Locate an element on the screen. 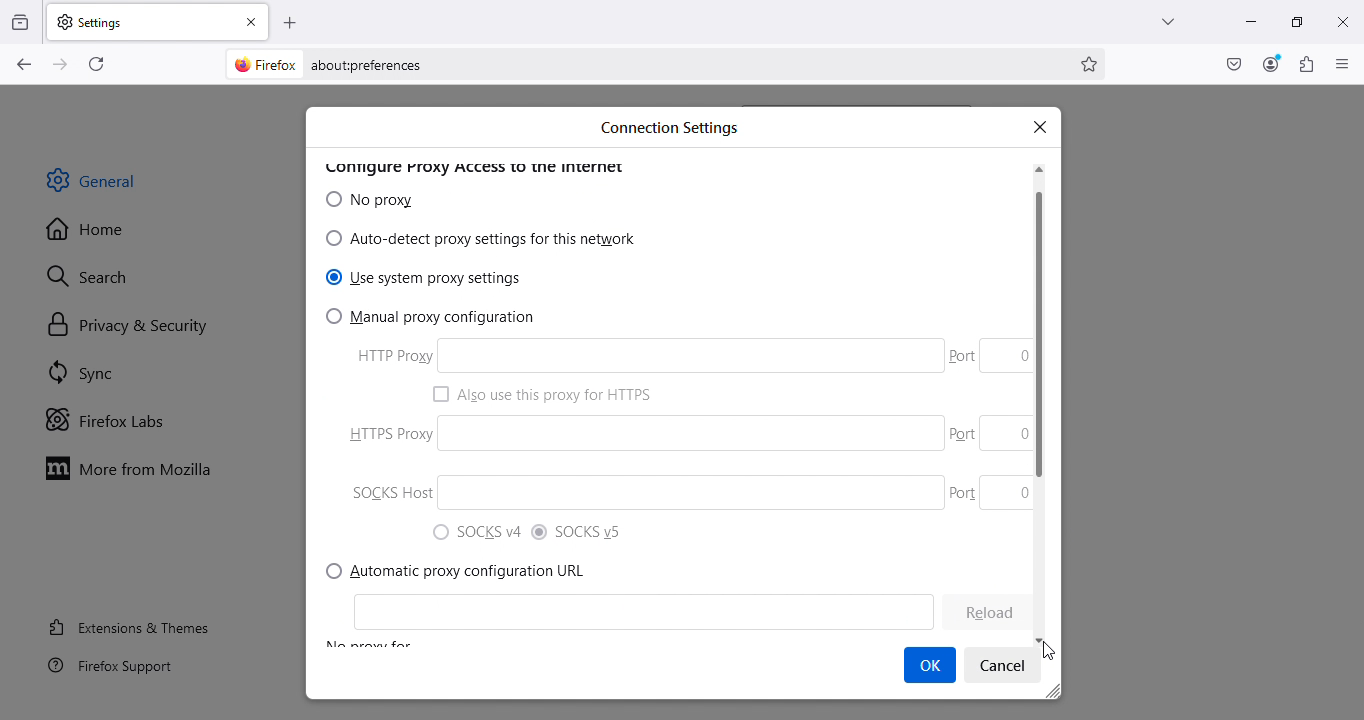 The height and width of the screenshot is (720, 1364). move down is located at coordinates (1355, 715).